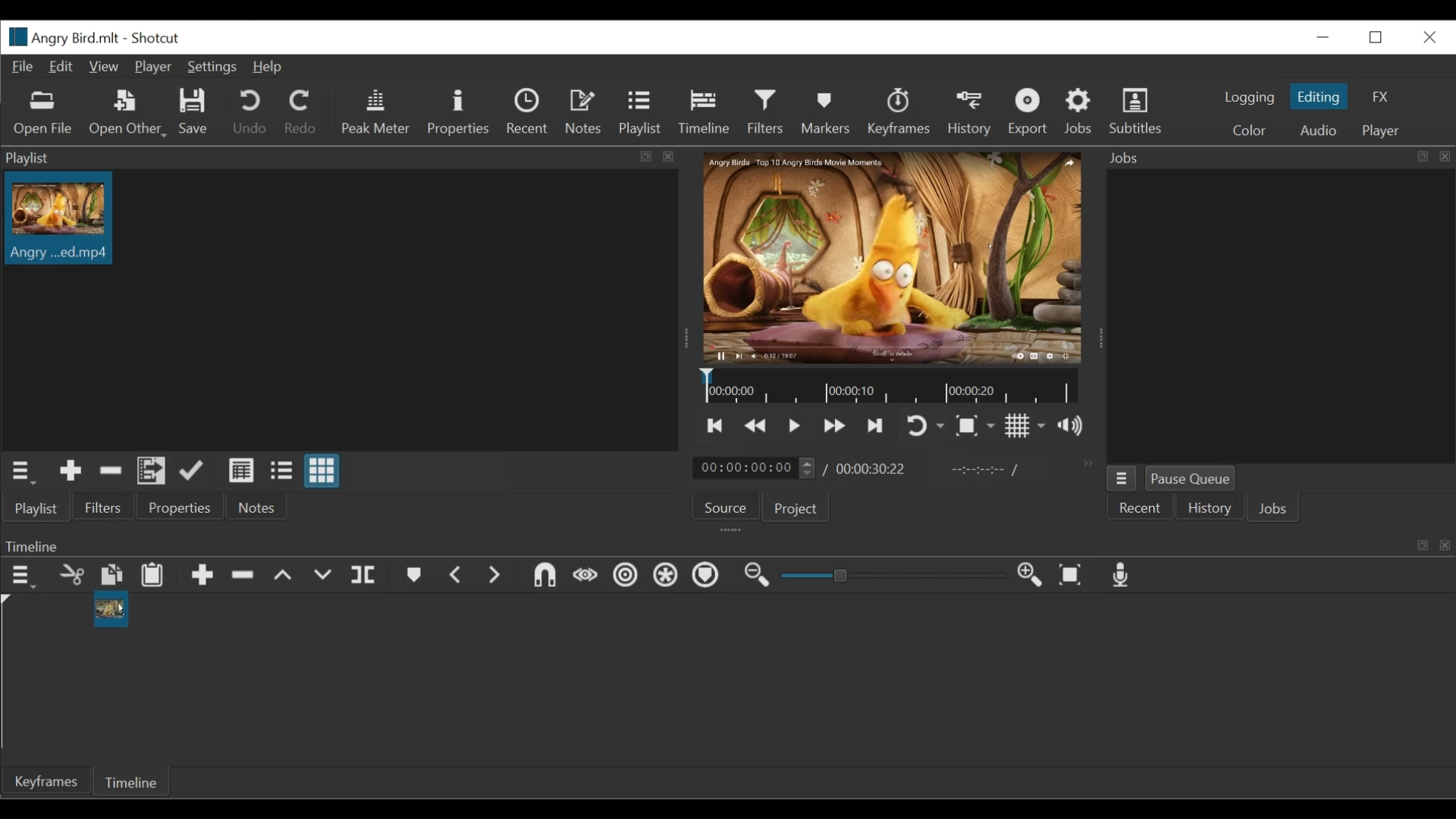 The width and height of the screenshot is (1456, 819). I want to click on Toggle zoom, so click(974, 426).